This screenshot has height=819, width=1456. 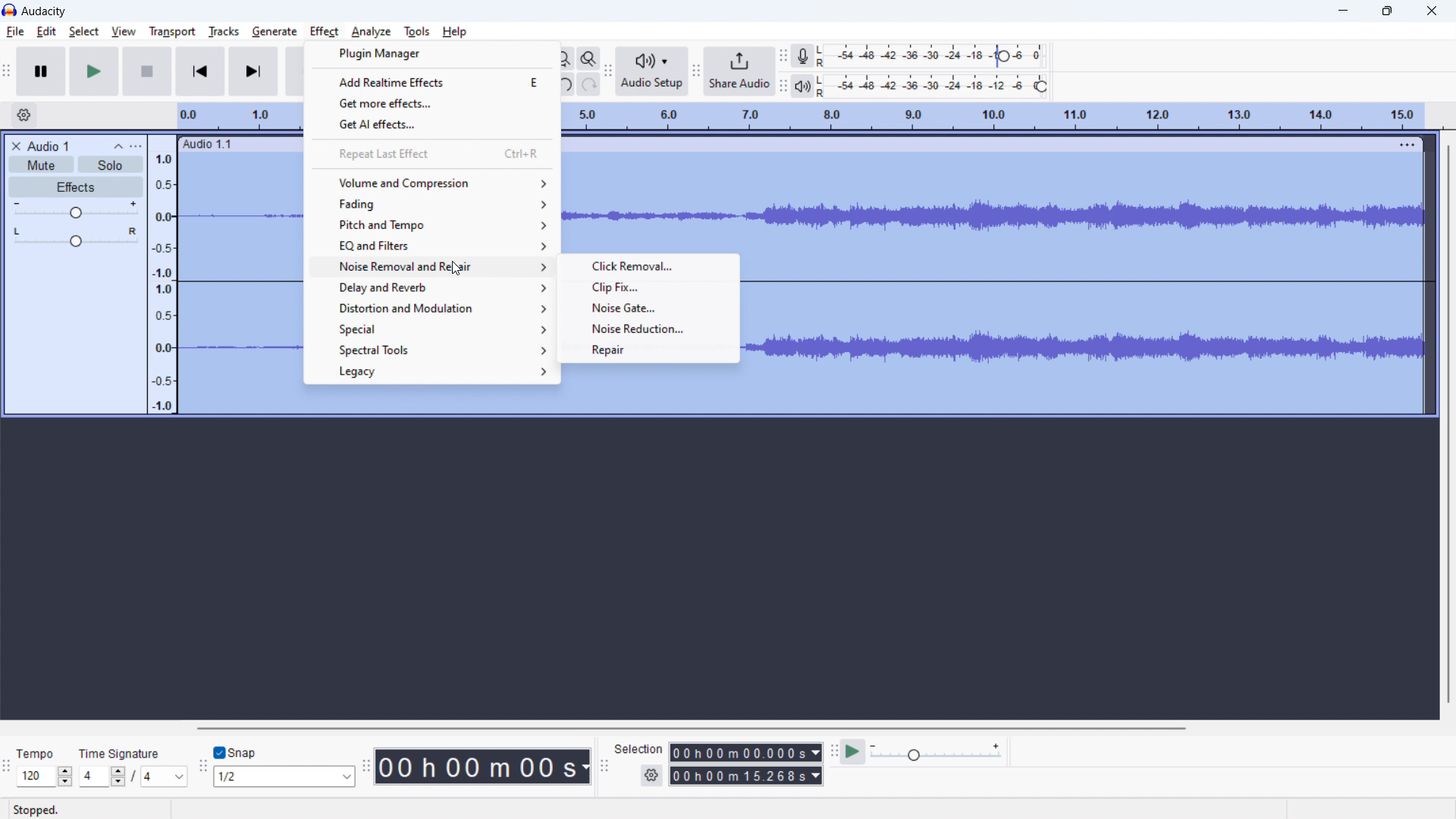 I want to click on audio setup toolbar, so click(x=607, y=71).